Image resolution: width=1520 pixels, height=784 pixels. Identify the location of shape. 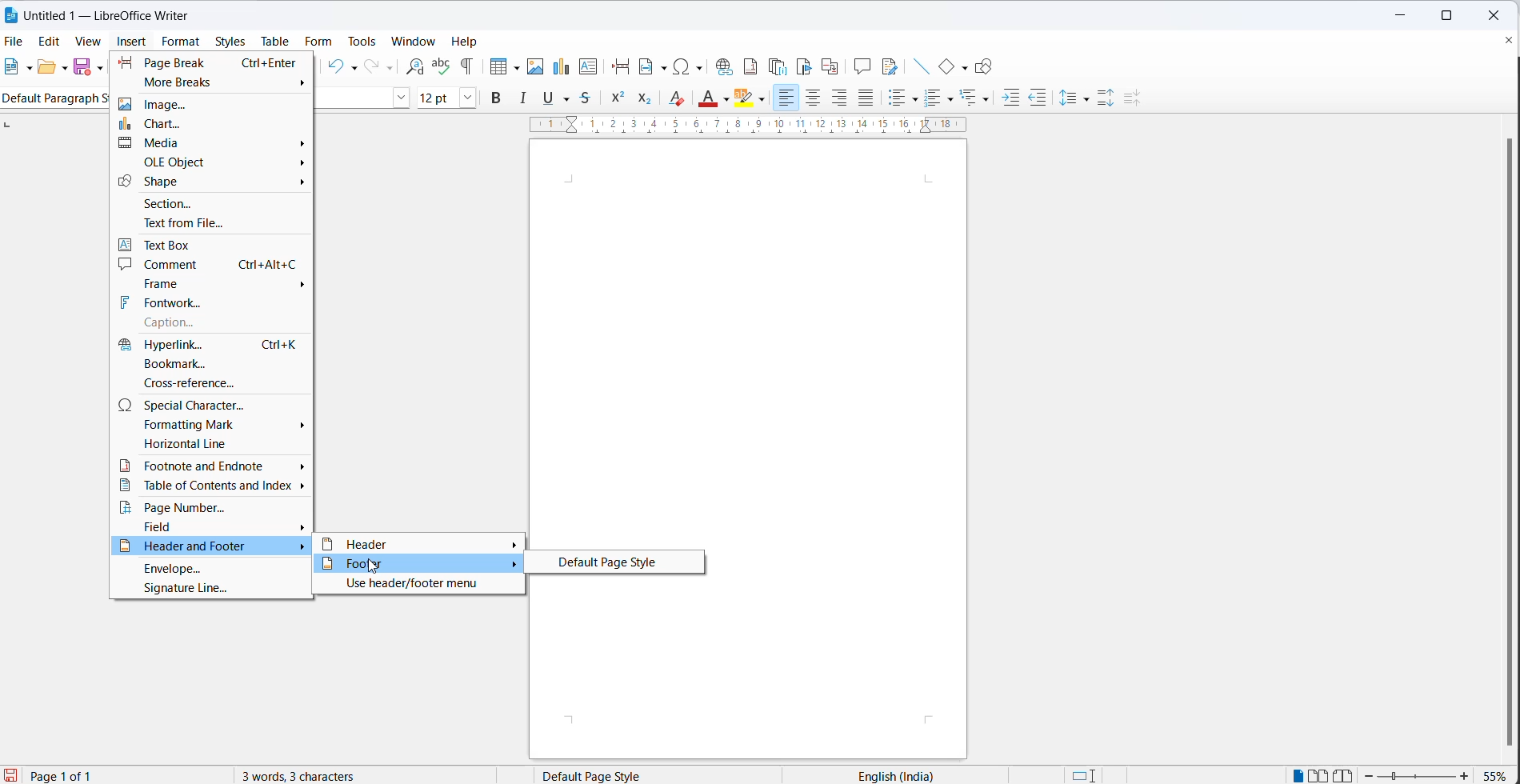
(210, 184).